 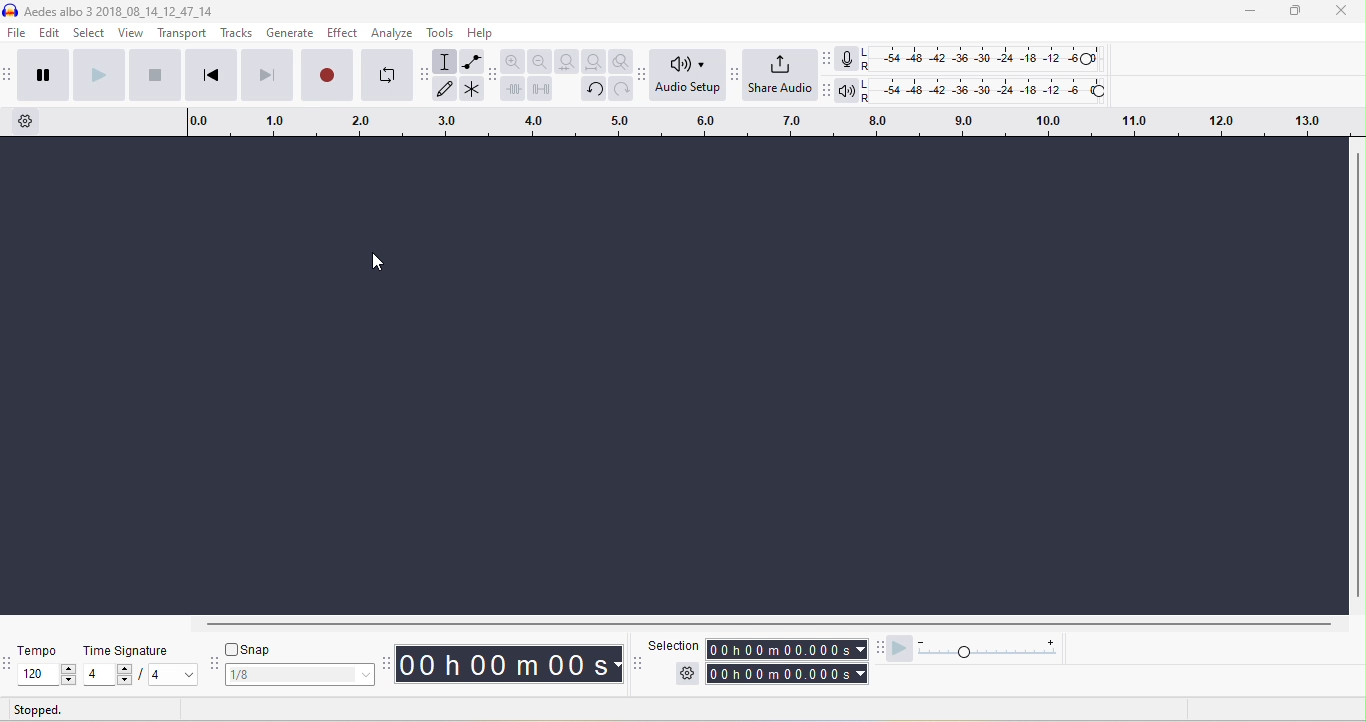 I want to click on audacity snapping toolbar, so click(x=215, y=664).